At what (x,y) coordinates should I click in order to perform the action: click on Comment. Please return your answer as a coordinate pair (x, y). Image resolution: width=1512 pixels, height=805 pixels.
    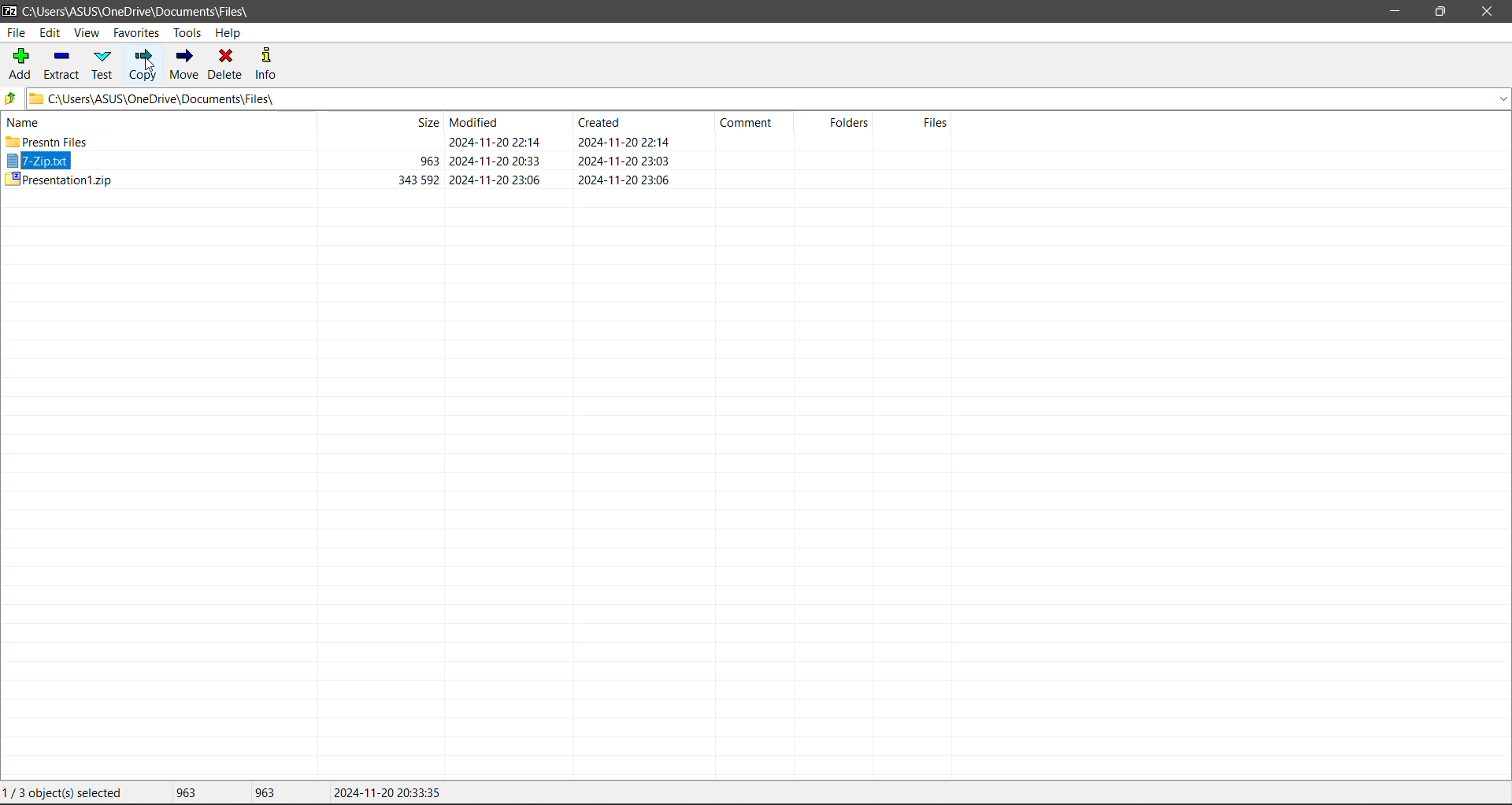
    Looking at the image, I should click on (753, 126).